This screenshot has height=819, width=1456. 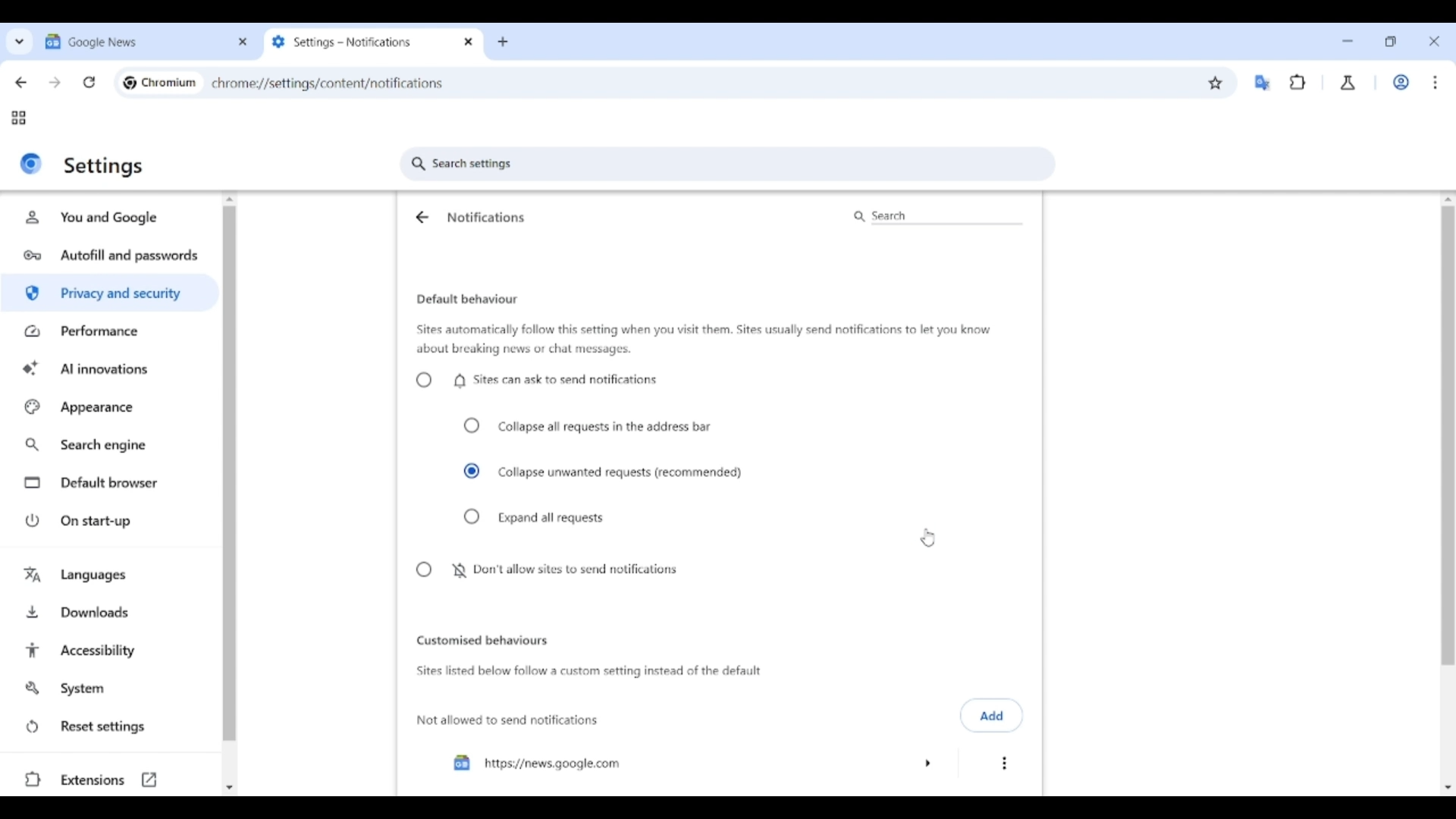 What do you see at coordinates (328, 82) in the screenshot?
I see `chromey//settings/content/notifications` at bounding box center [328, 82].